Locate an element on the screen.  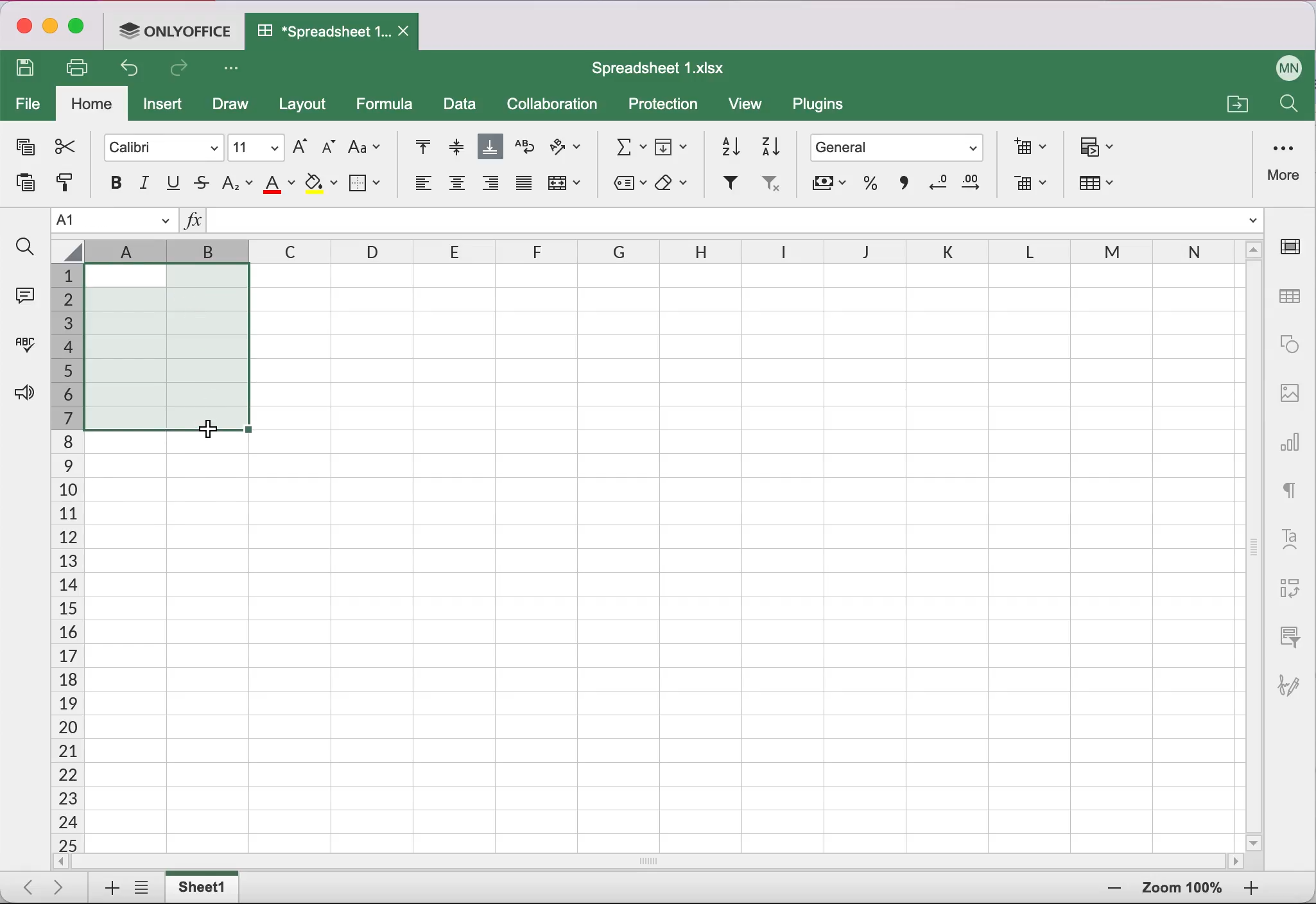
maximize is located at coordinates (81, 29).